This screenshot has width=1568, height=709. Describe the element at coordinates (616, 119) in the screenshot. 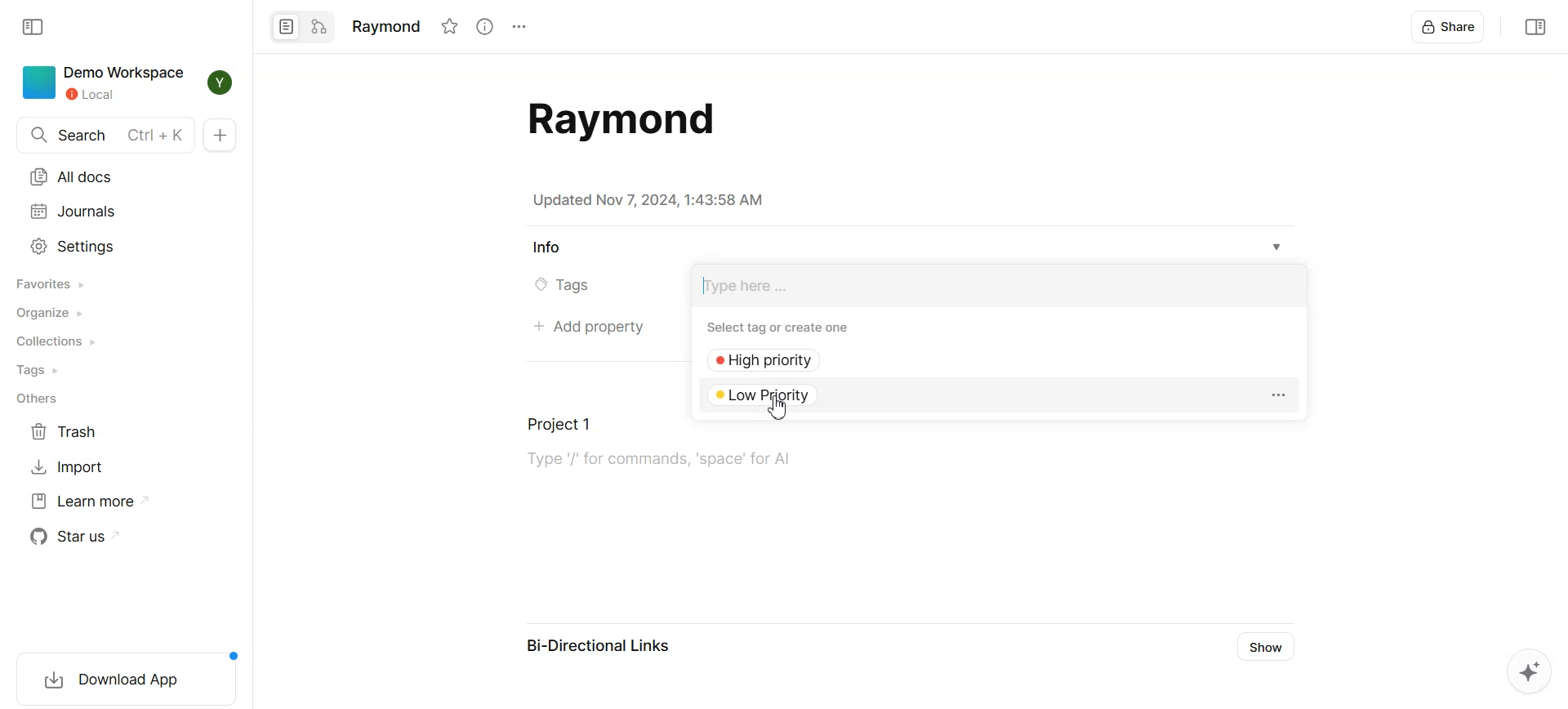

I see `Document template` at that location.